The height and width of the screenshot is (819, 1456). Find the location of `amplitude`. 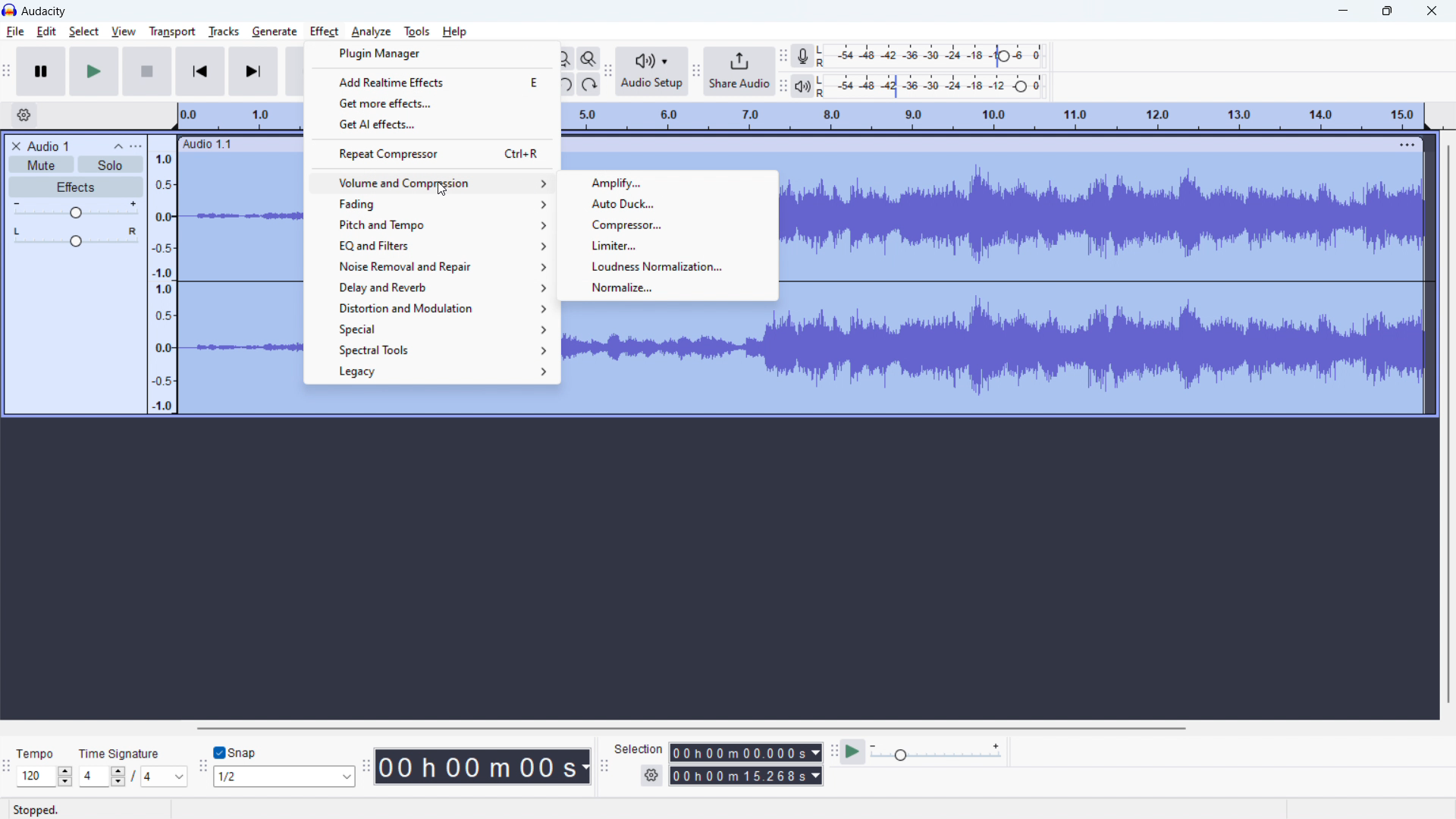

amplitude is located at coordinates (162, 273).